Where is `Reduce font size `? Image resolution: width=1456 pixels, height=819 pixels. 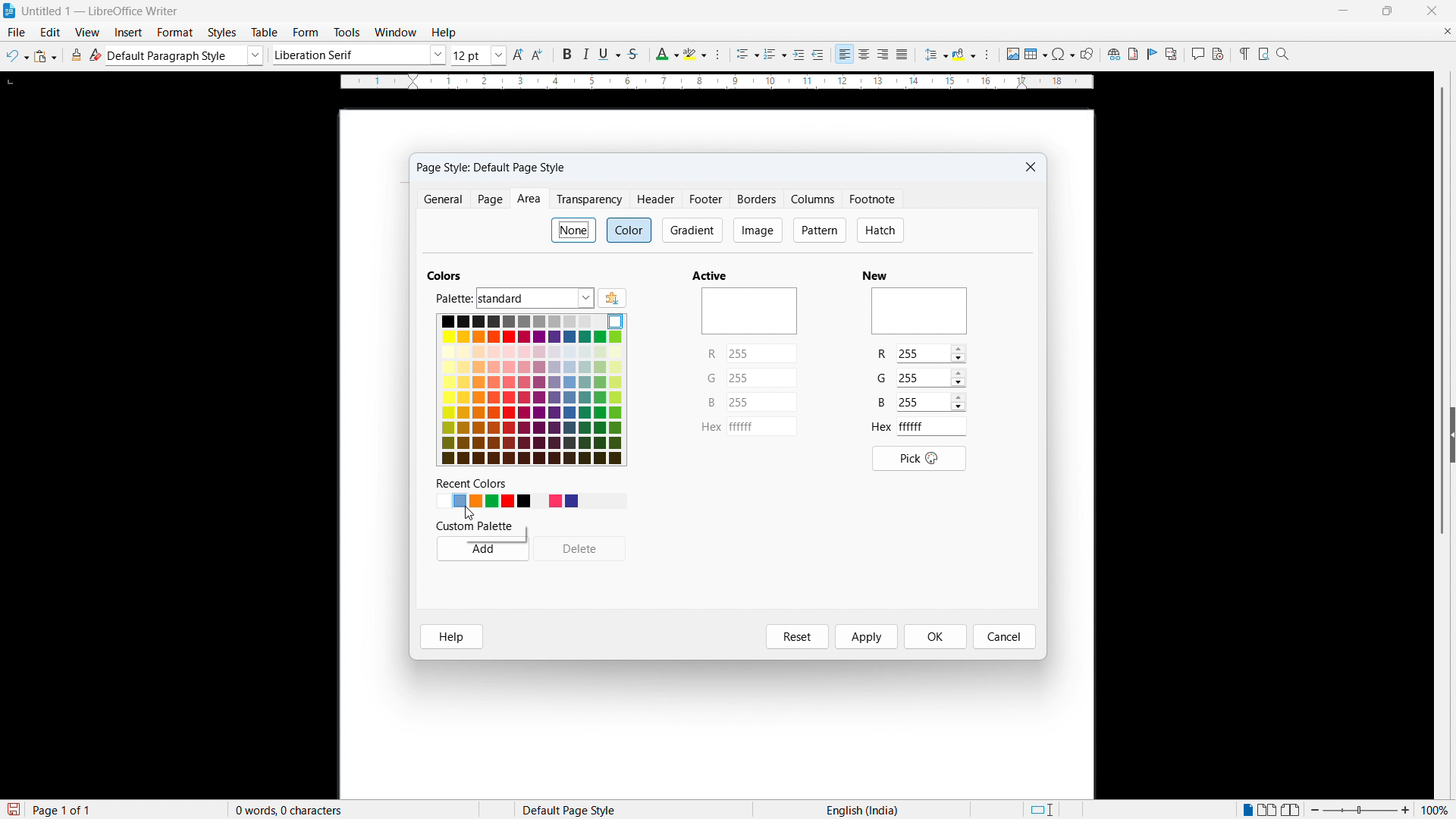
Reduce font size  is located at coordinates (539, 55).